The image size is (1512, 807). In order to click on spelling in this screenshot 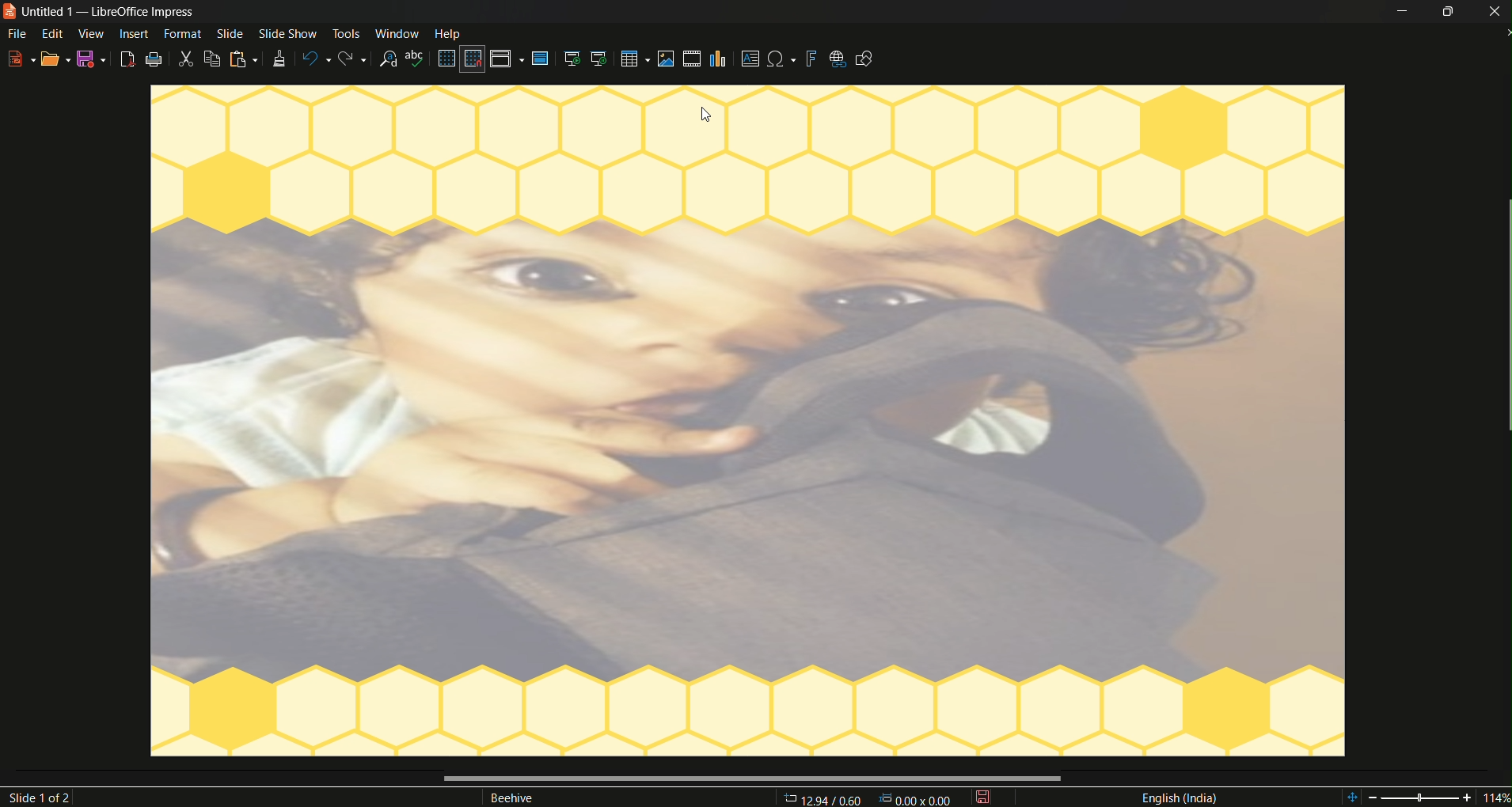, I will do `click(417, 59)`.